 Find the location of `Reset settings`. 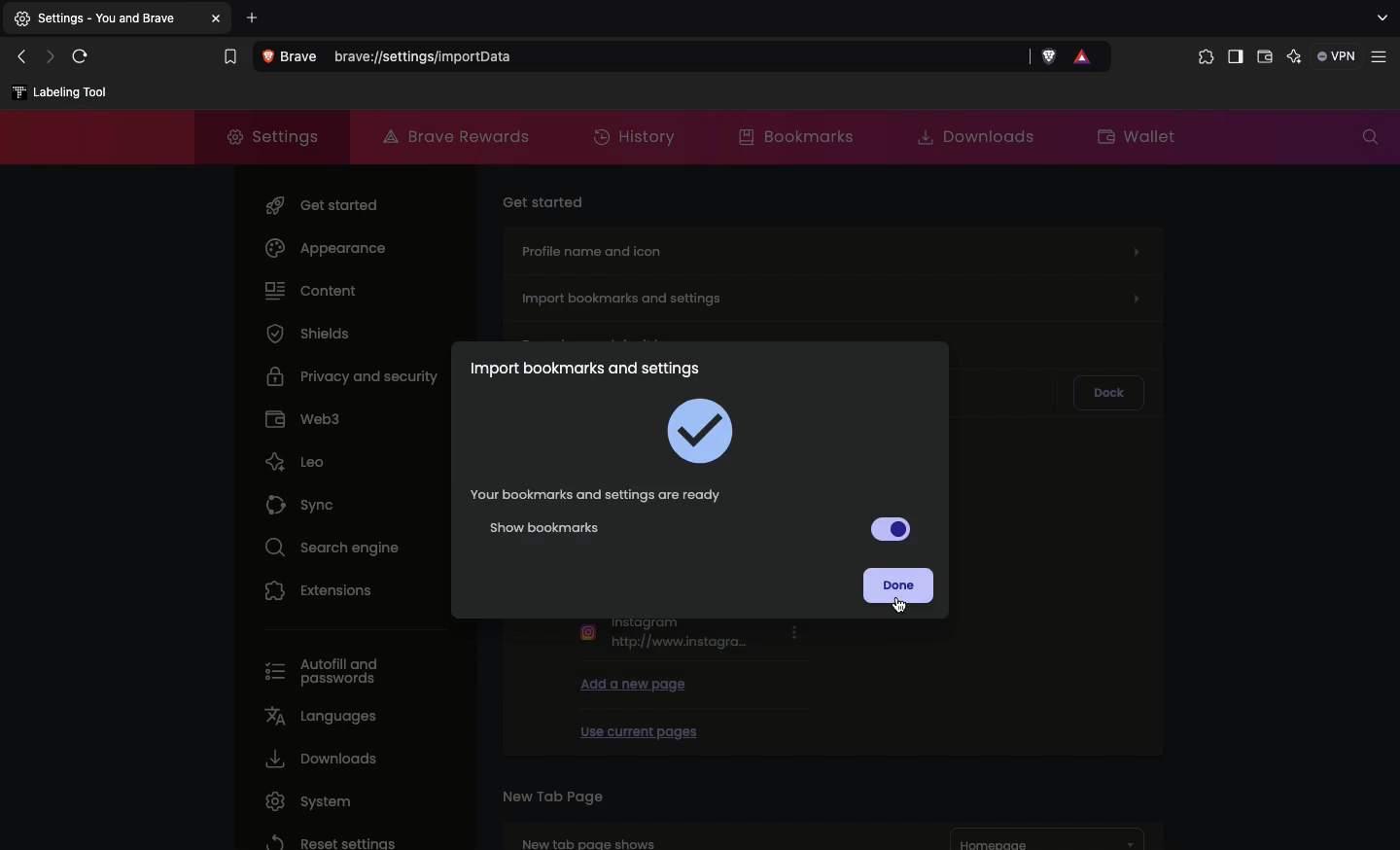

Reset settings is located at coordinates (328, 840).